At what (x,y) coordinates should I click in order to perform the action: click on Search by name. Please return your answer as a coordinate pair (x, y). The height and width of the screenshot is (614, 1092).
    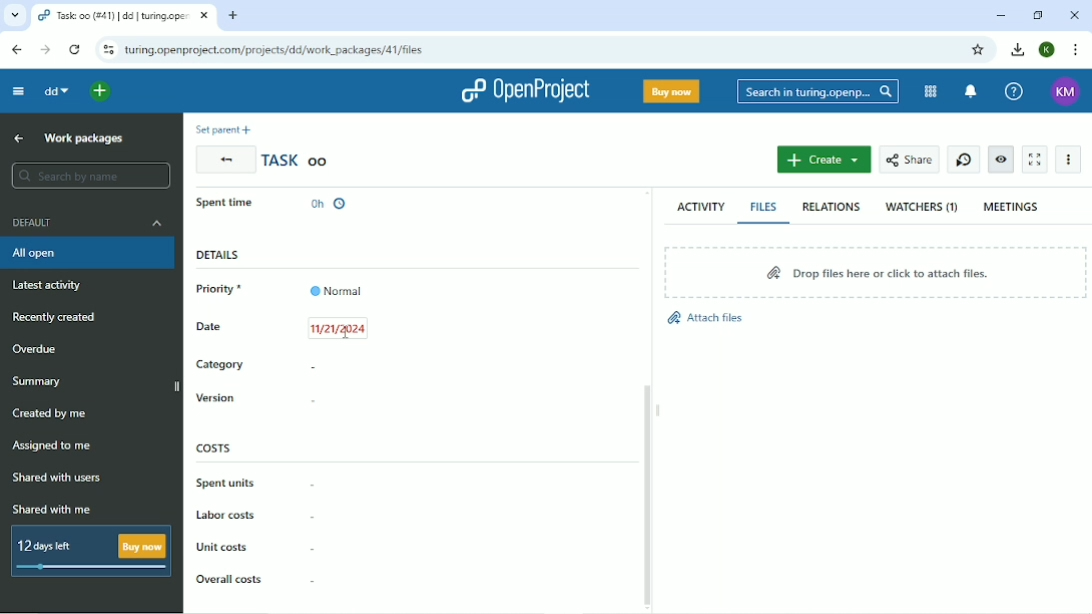
    Looking at the image, I should click on (91, 176).